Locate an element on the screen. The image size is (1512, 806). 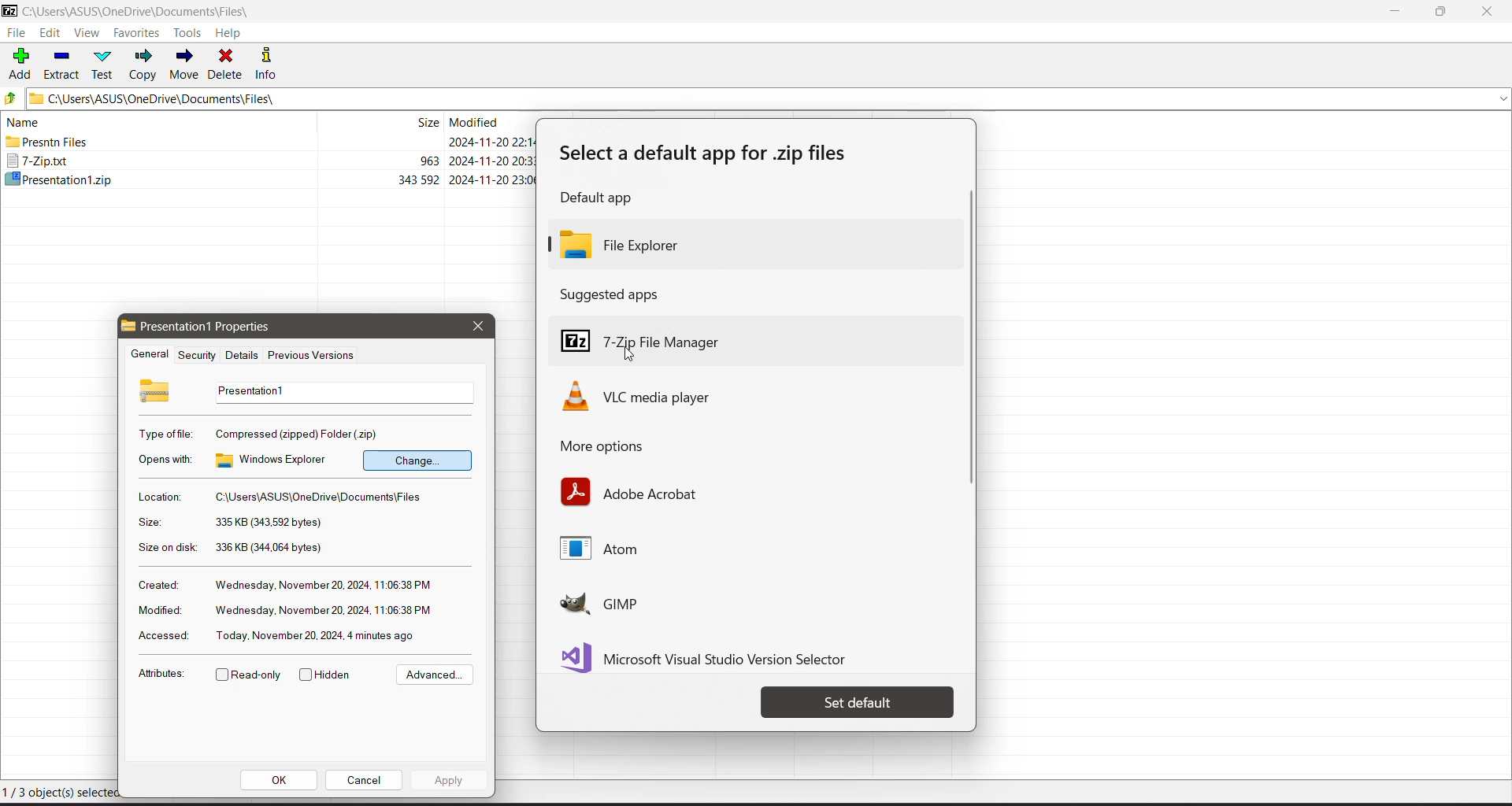
Help is located at coordinates (228, 33).